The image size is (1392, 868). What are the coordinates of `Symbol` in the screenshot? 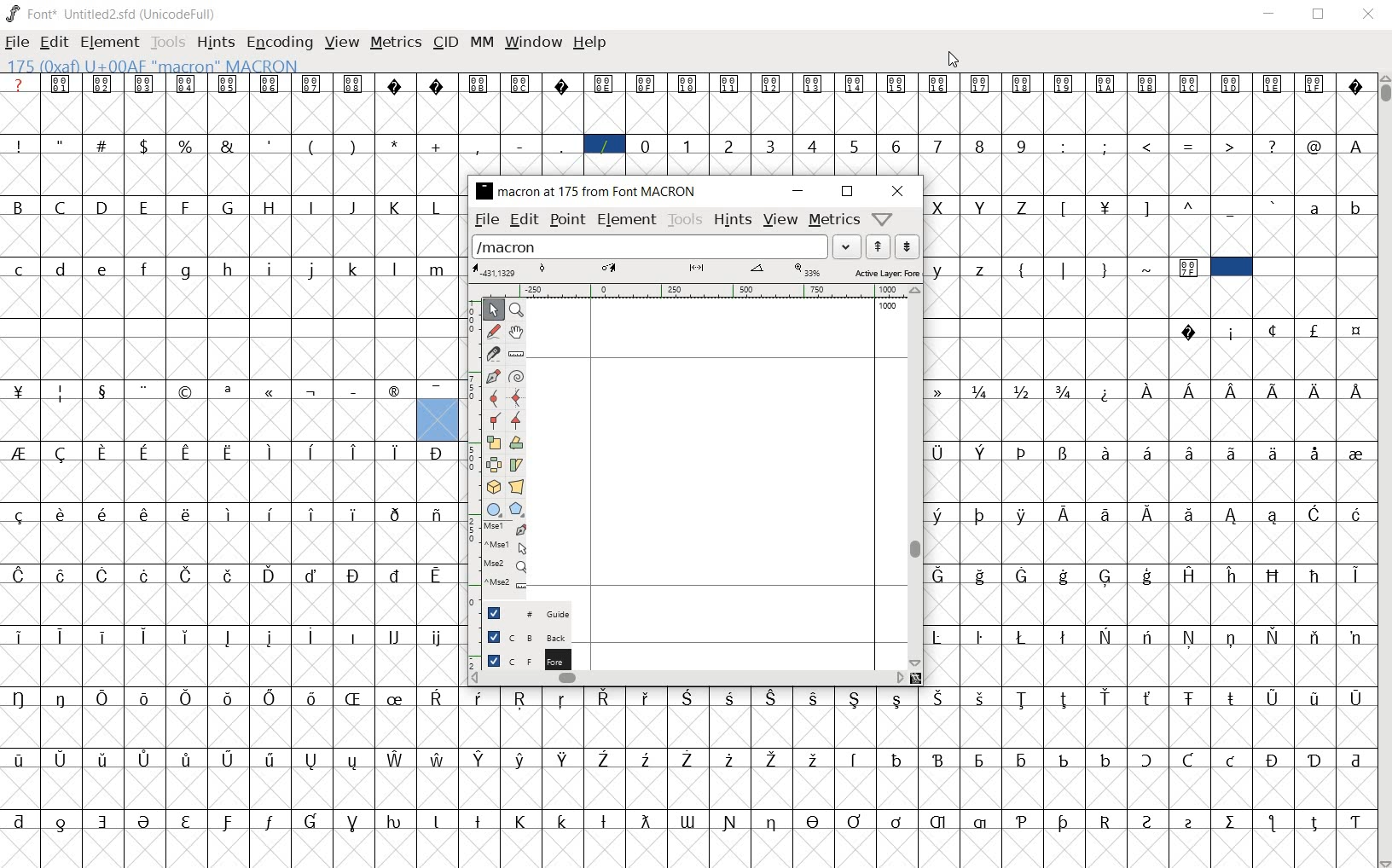 It's located at (104, 84).